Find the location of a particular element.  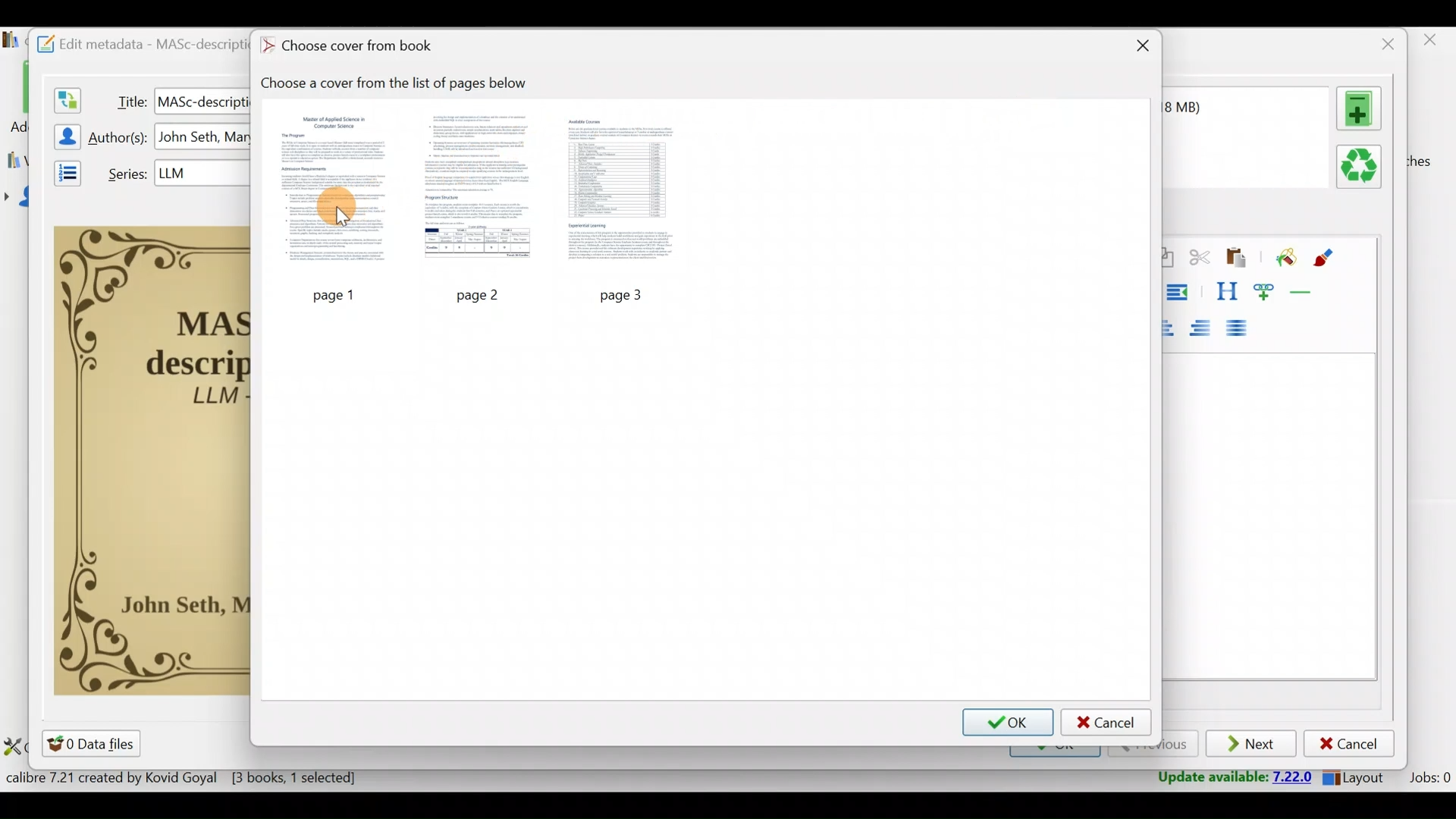

cancel is located at coordinates (1106, 722).